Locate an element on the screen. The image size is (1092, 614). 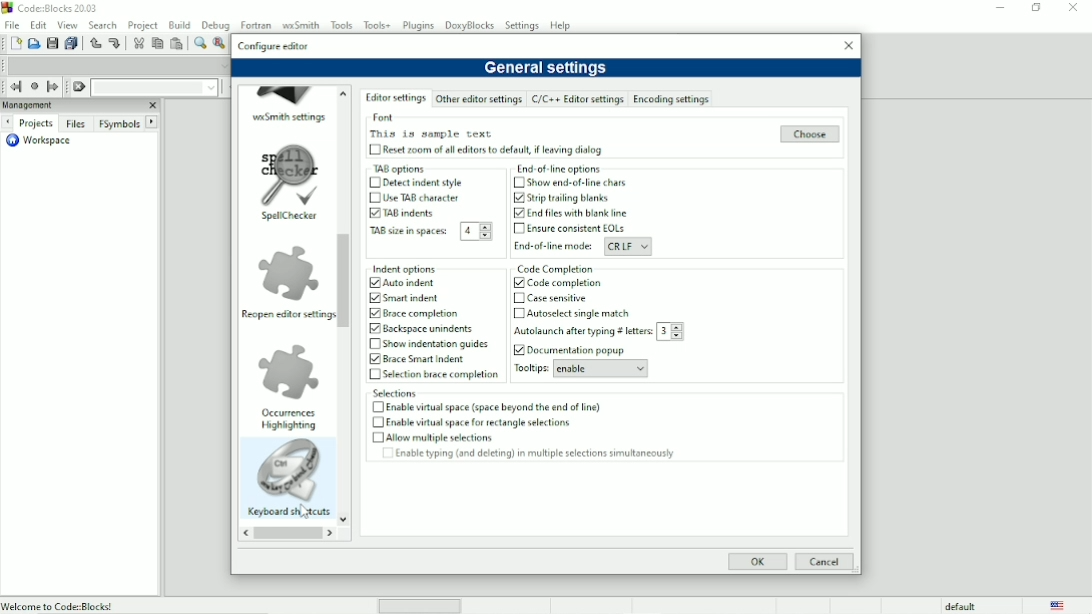
 is located at coordinates (372, 373).